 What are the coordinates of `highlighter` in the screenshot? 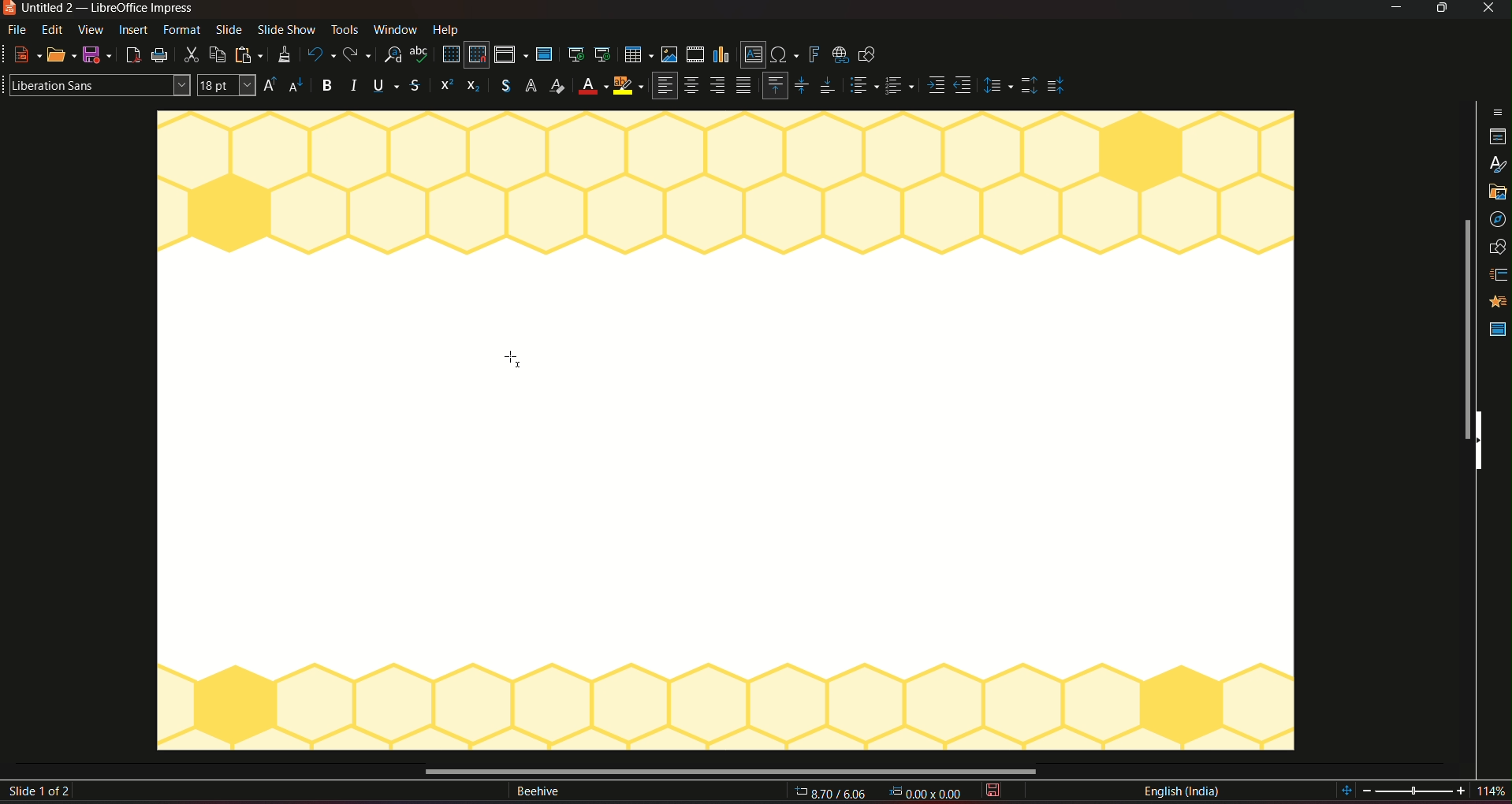 It's located at (629, 87).